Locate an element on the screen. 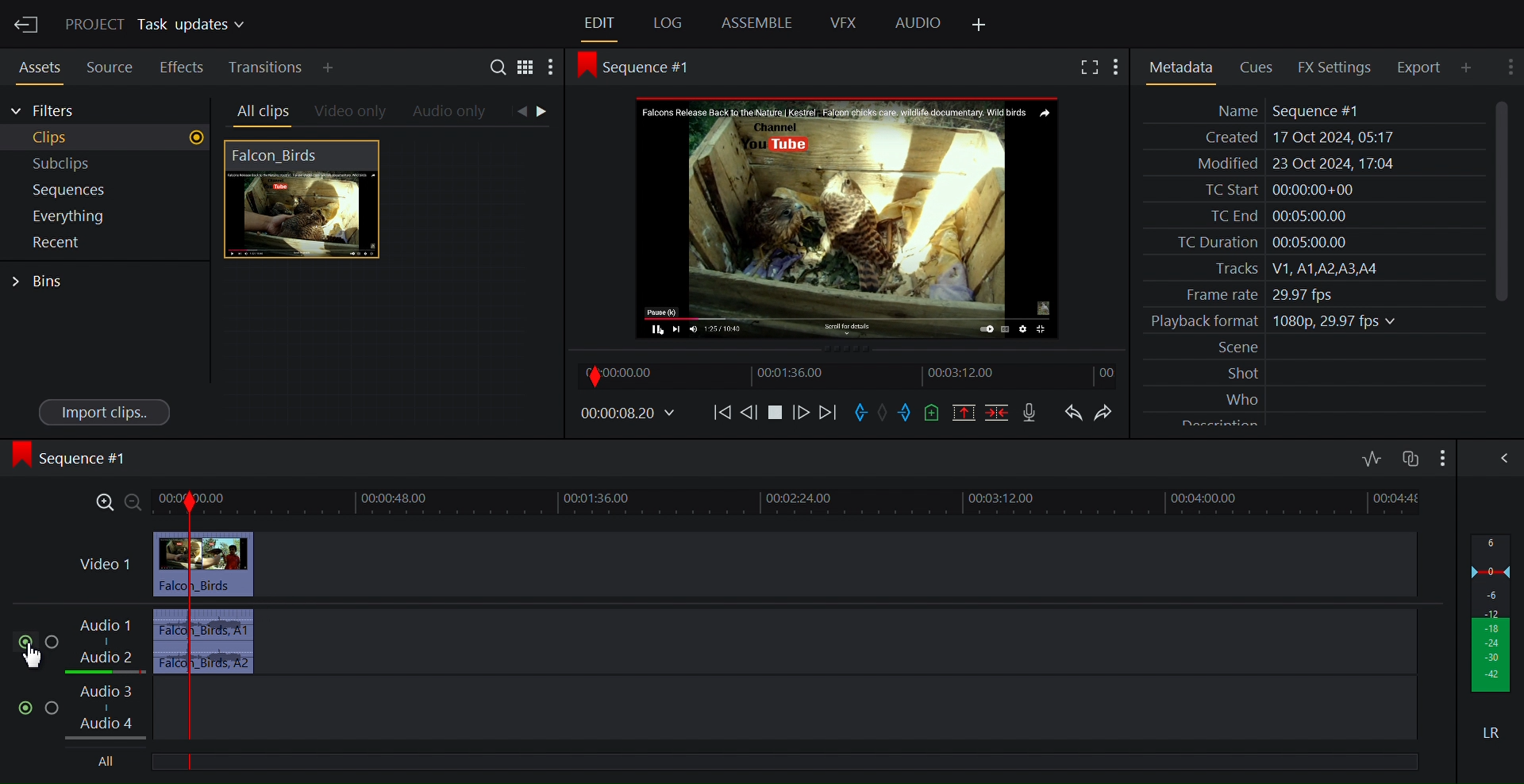 The image size is (1524, 784). Log is located at coordinates (668, 24).